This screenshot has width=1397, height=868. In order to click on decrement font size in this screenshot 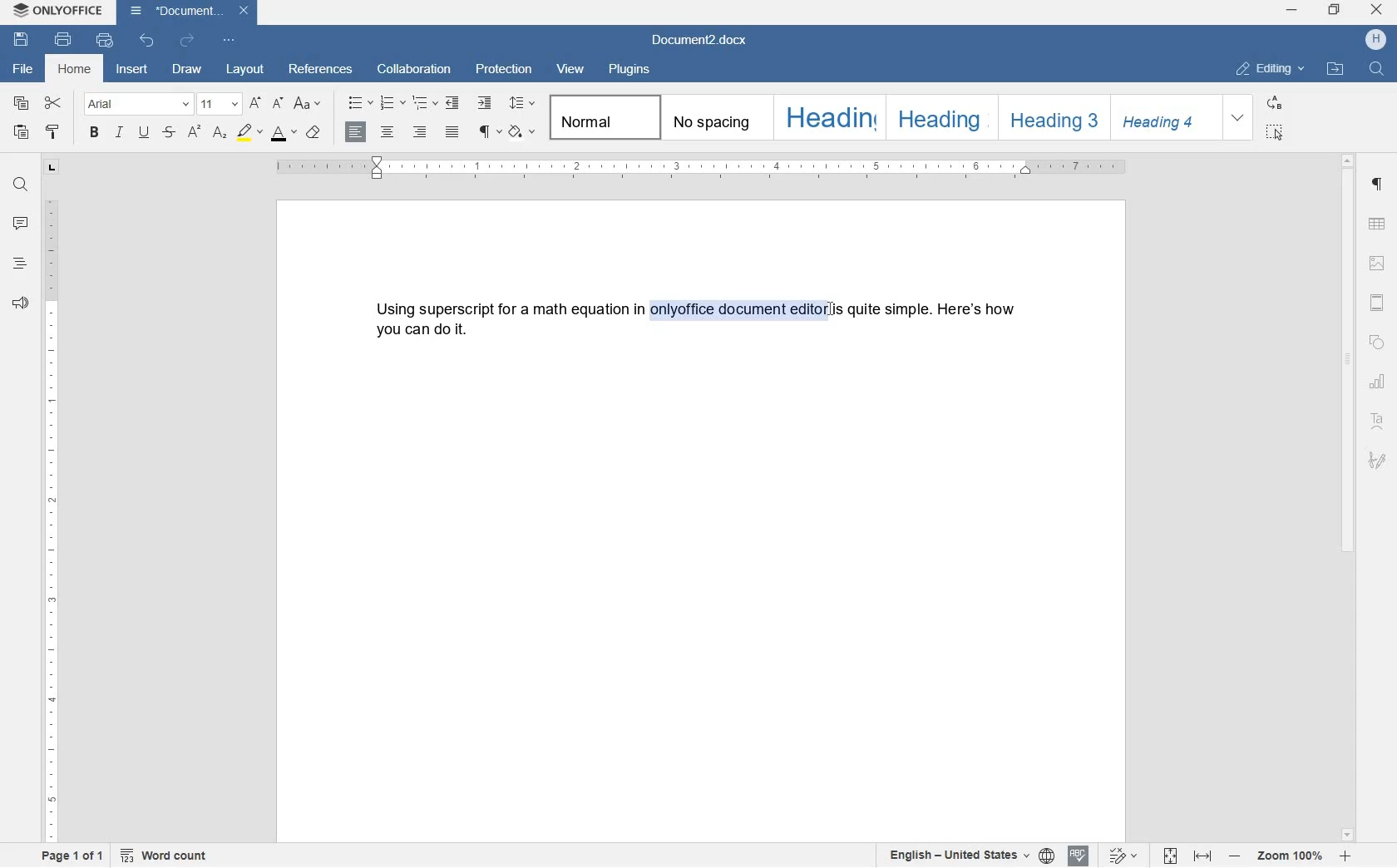, I will do `click(278, 102)`.